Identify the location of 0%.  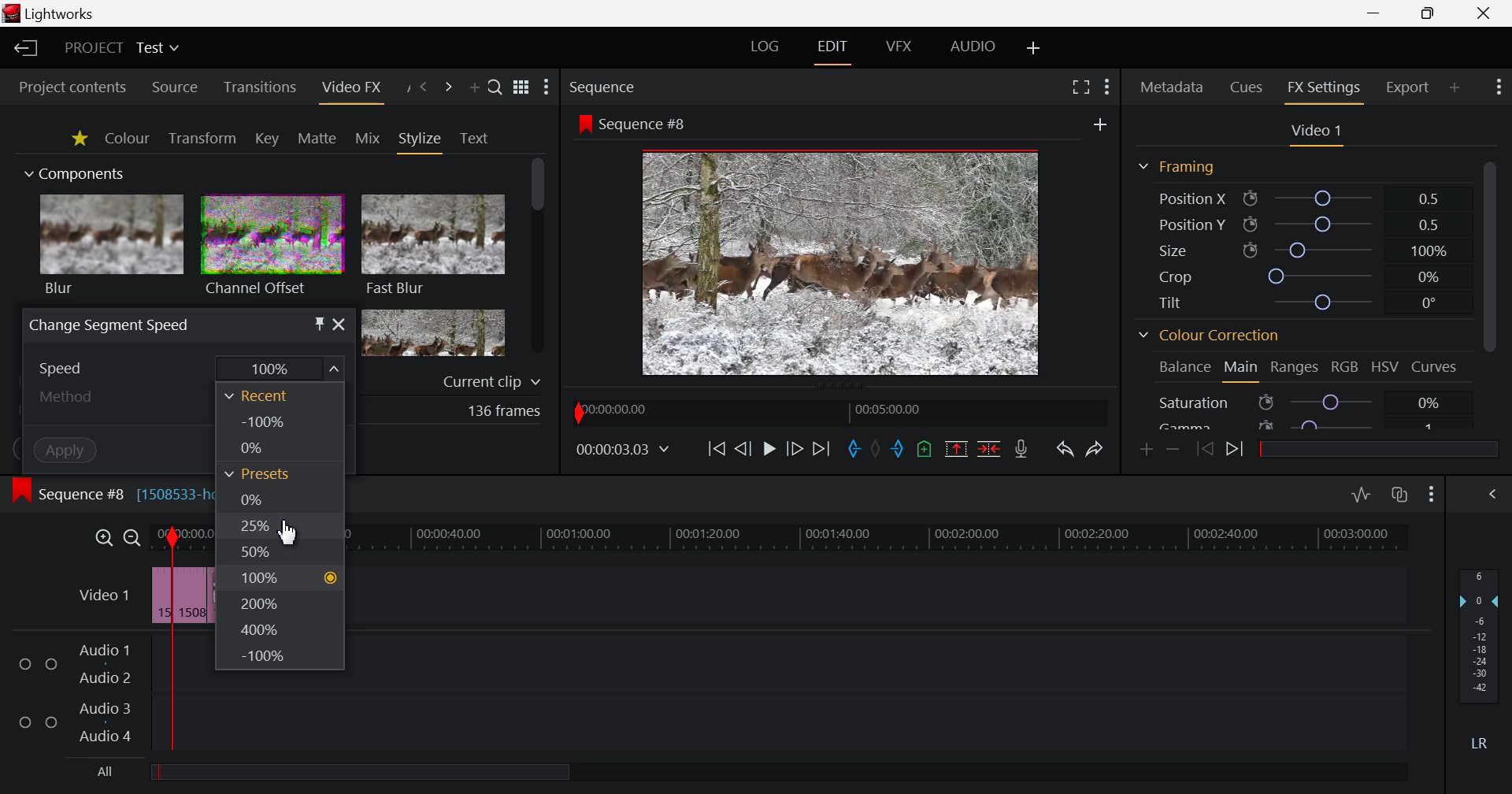
(283, 503).